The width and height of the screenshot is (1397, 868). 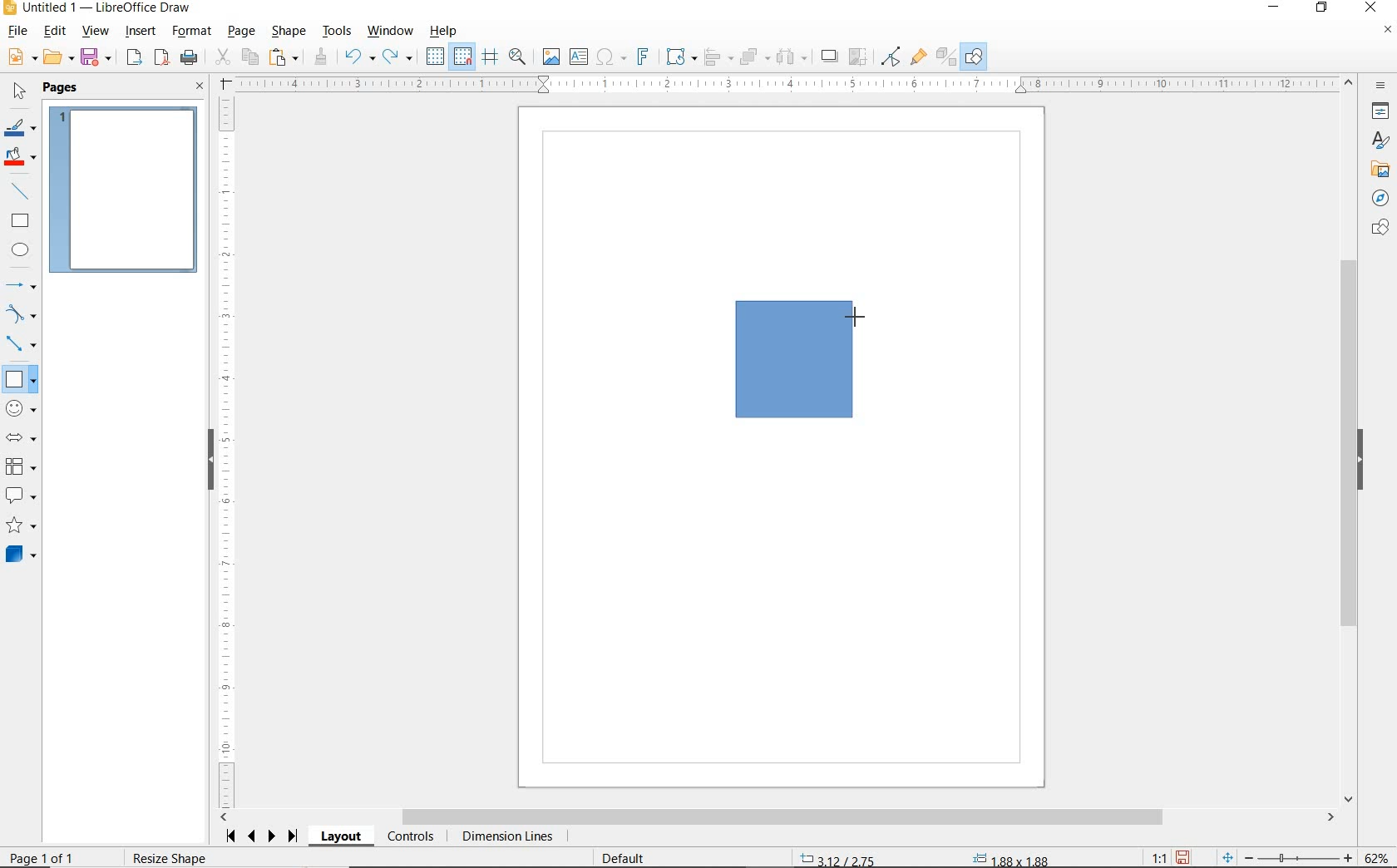 What do you see at coordinates (135, 59) in the screenshot?
I see `EXPORT` at bounding box center [135, 59].